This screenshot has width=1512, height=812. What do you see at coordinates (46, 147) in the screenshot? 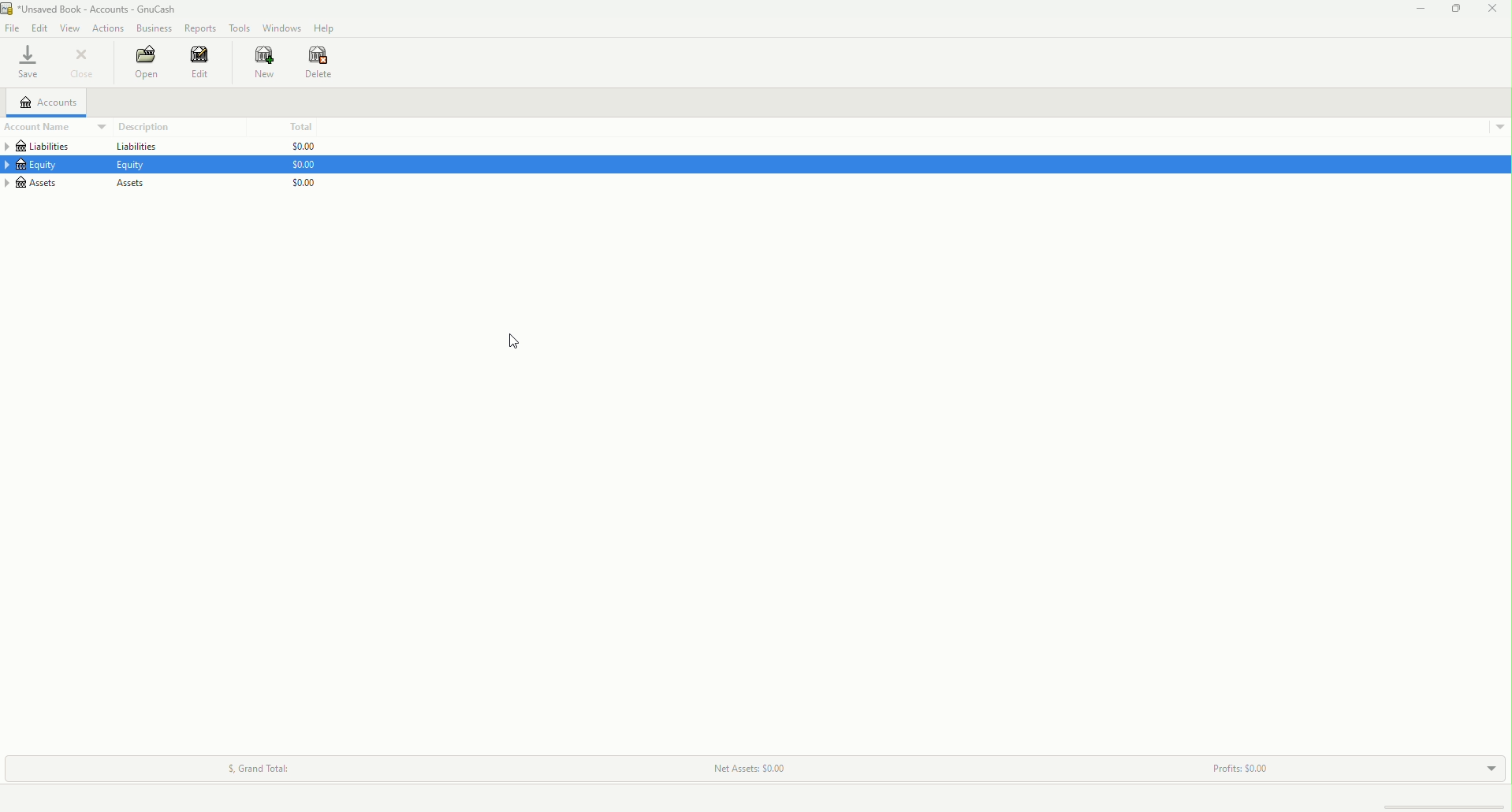
I see `Liabilities` at bounding box center [46, 147].